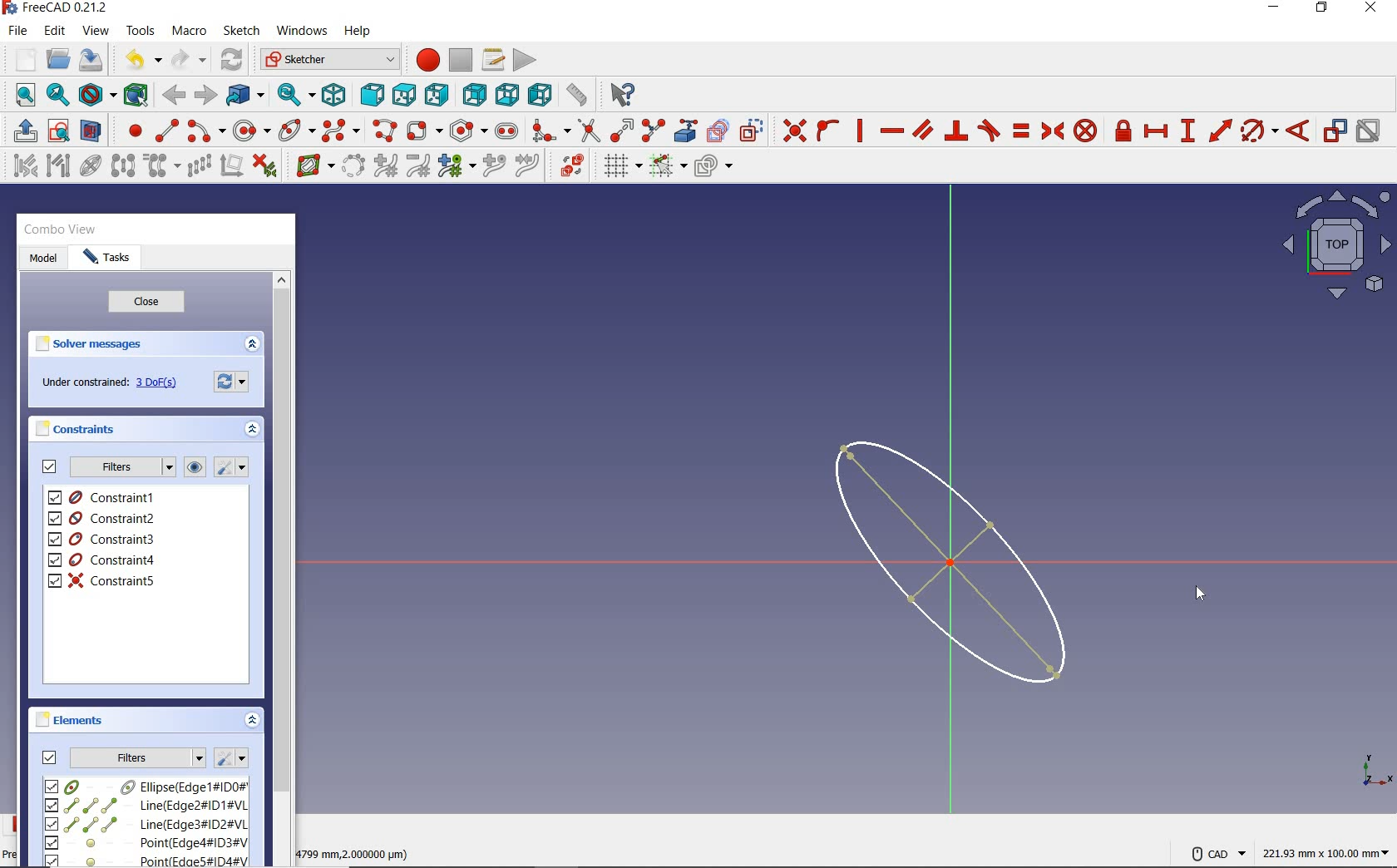 The image size is (1397, 868). Describe the element at coordinates (102, 580) in the screenshot. I see `constraint5` at that location.